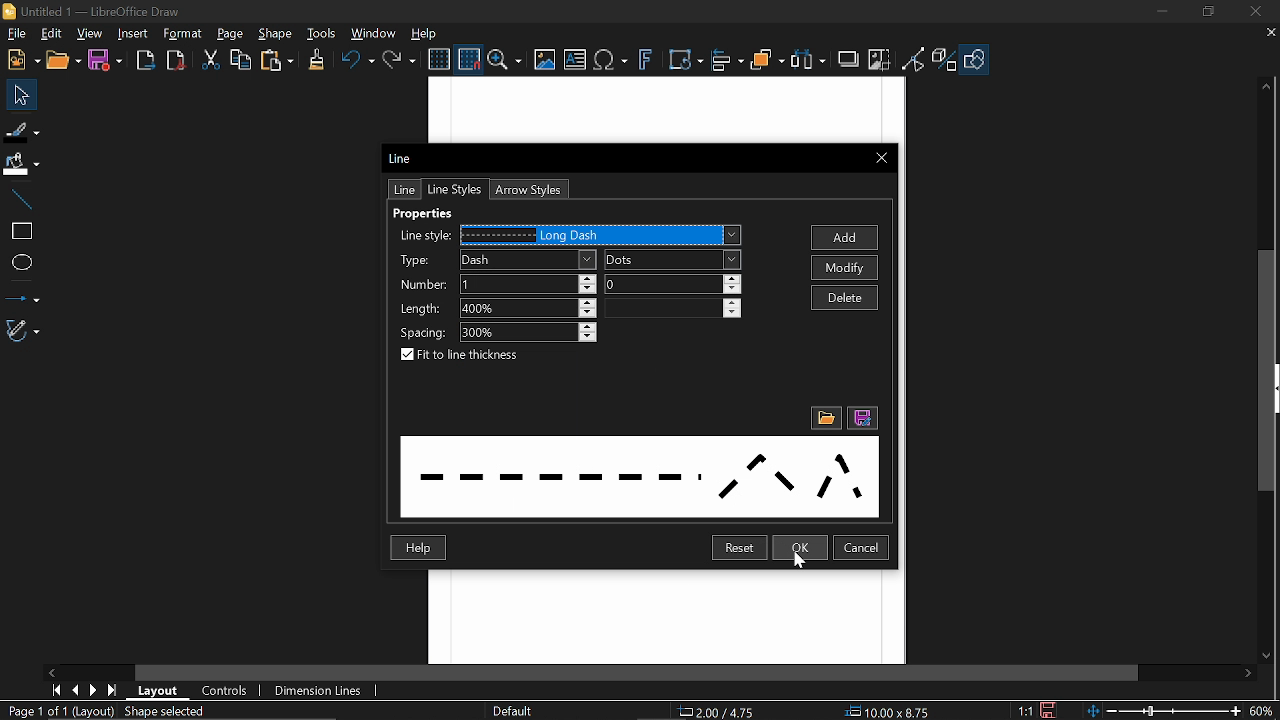 Image resolution: width=1280 pixels, height=720 pixels. I want to click on Ellipse, so click(20, 261).